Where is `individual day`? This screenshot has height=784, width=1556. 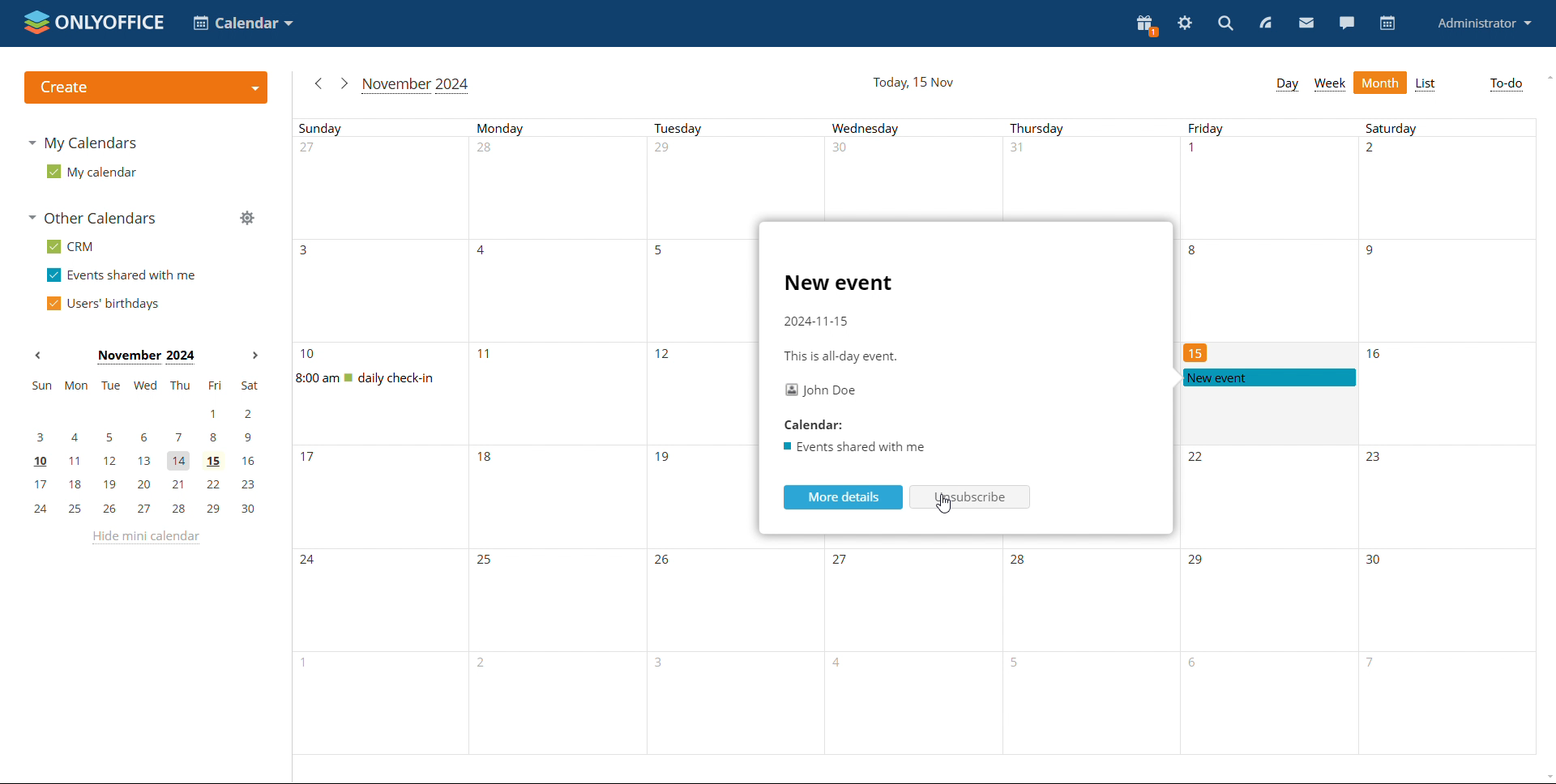 individual day is located at coordinates (737, 128).